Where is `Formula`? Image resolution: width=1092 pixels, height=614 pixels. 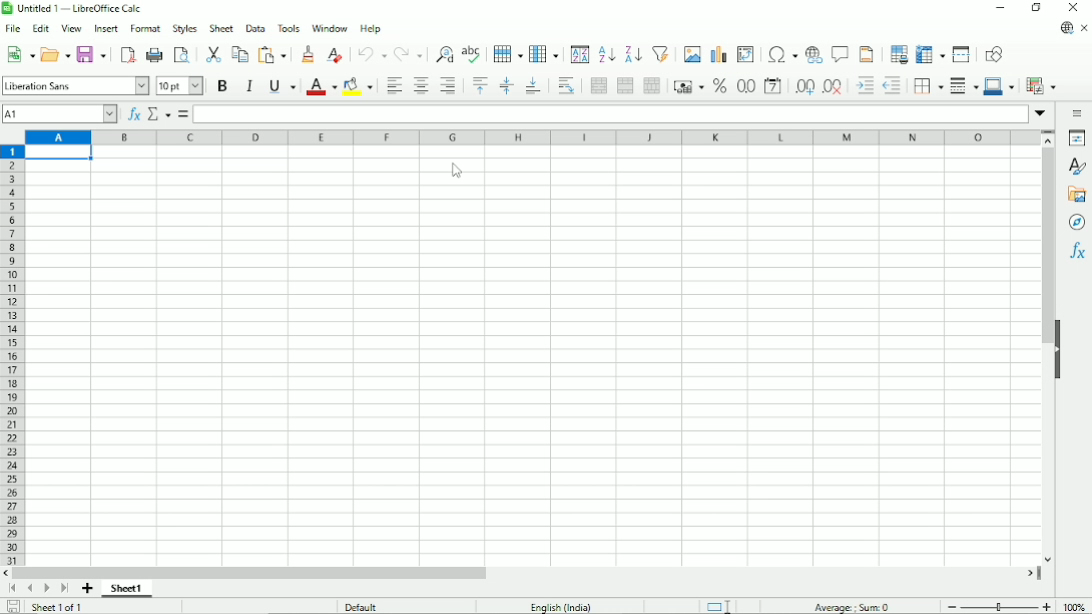 Formula is located at coordinates (183, 114).